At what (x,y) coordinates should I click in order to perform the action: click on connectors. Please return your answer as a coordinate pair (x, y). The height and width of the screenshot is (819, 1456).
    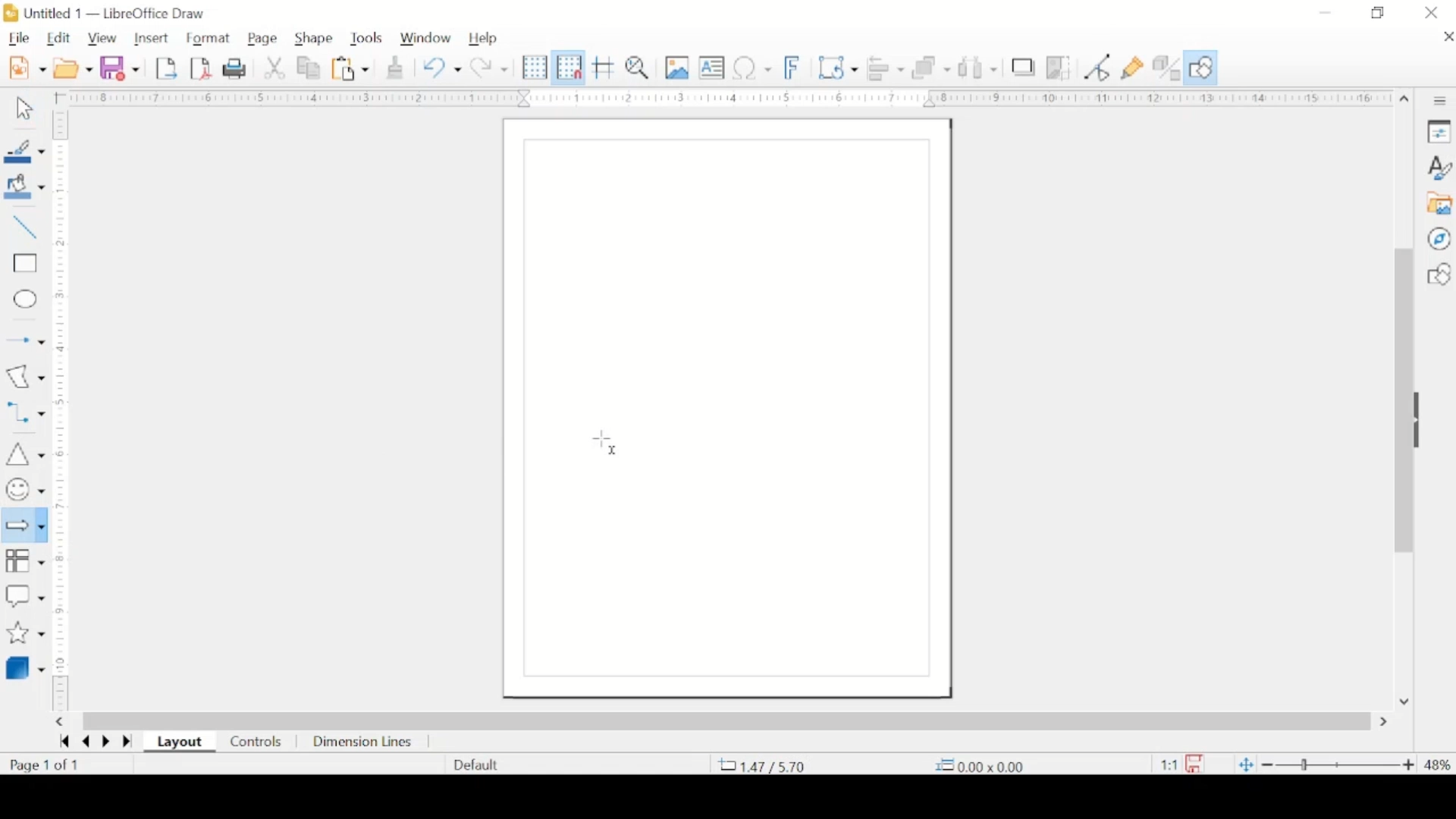
    Looking at the image, I should click on (25, 413).